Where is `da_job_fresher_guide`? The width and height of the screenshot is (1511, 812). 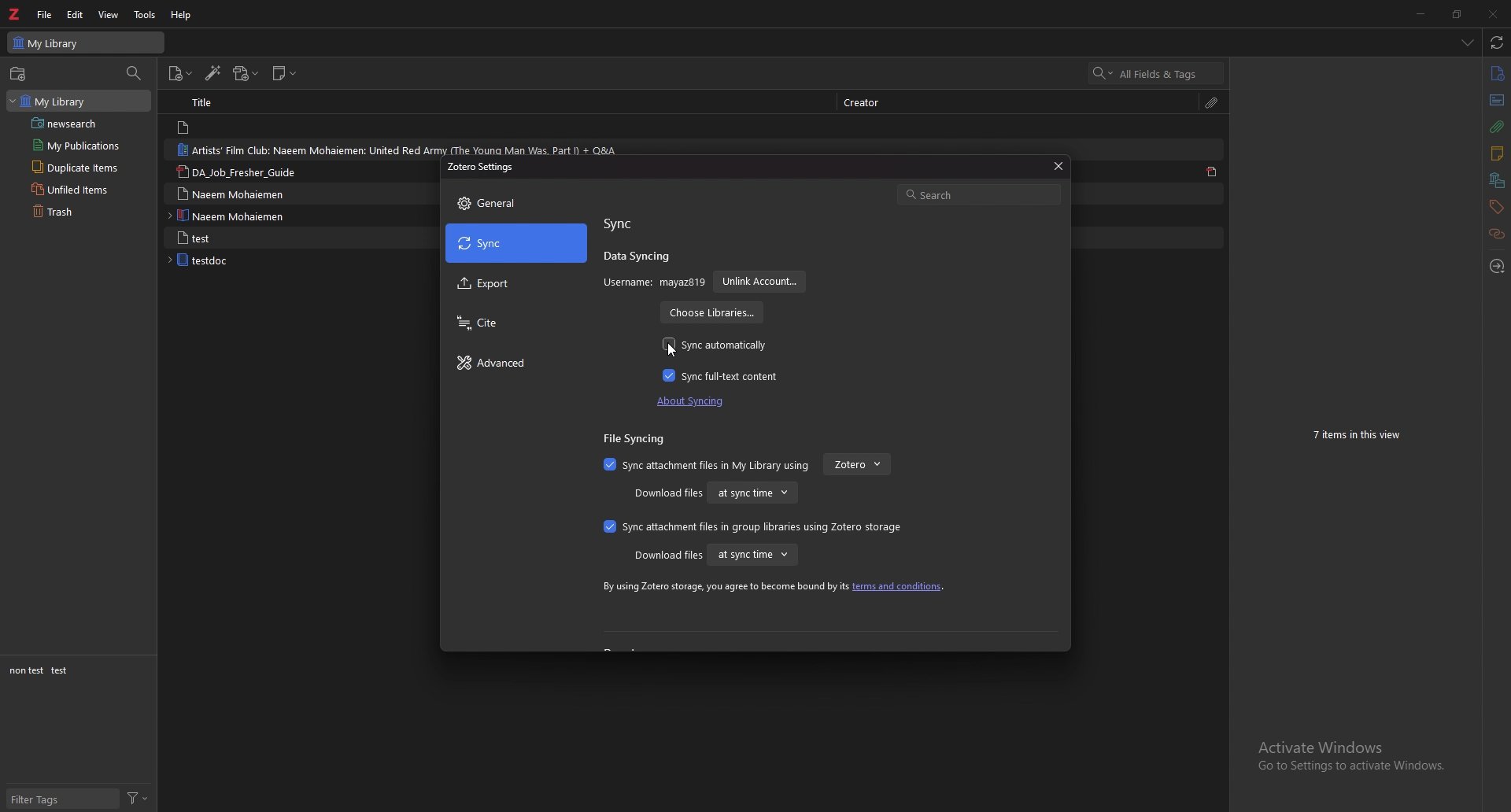
da_job_fresher_guide is located at coordinates (244, 172).